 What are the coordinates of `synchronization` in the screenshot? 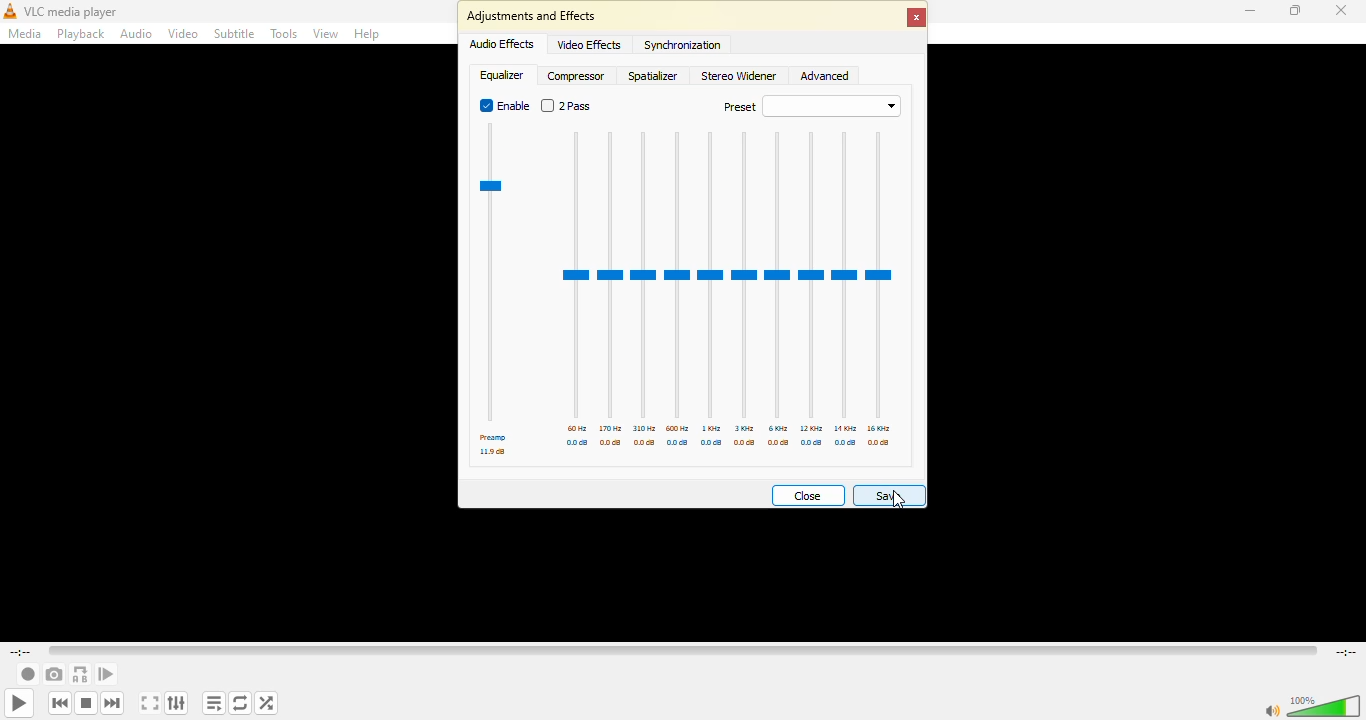 It's located at (685, 46).